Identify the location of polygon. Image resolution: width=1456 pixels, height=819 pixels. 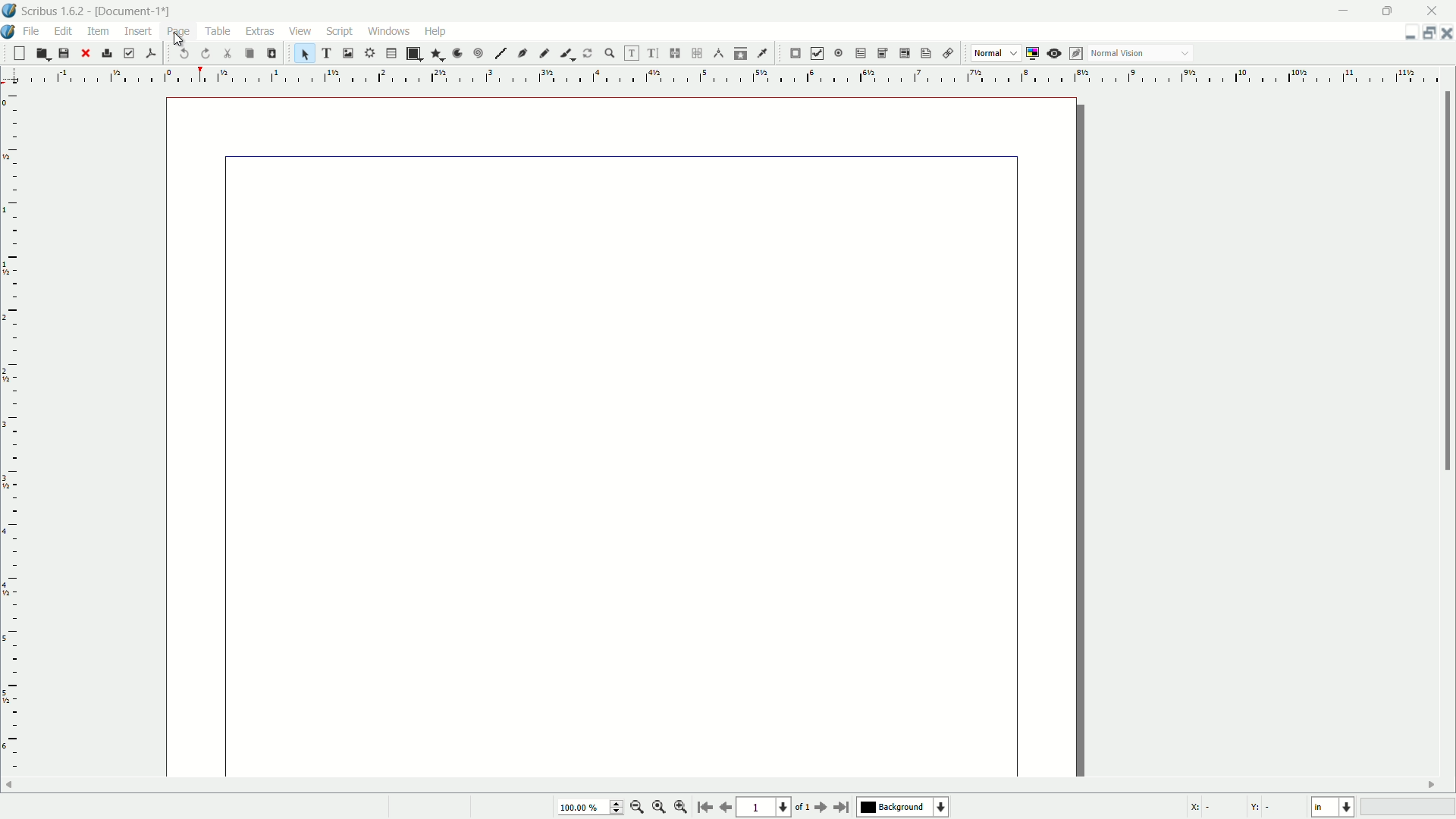
(437, 55).